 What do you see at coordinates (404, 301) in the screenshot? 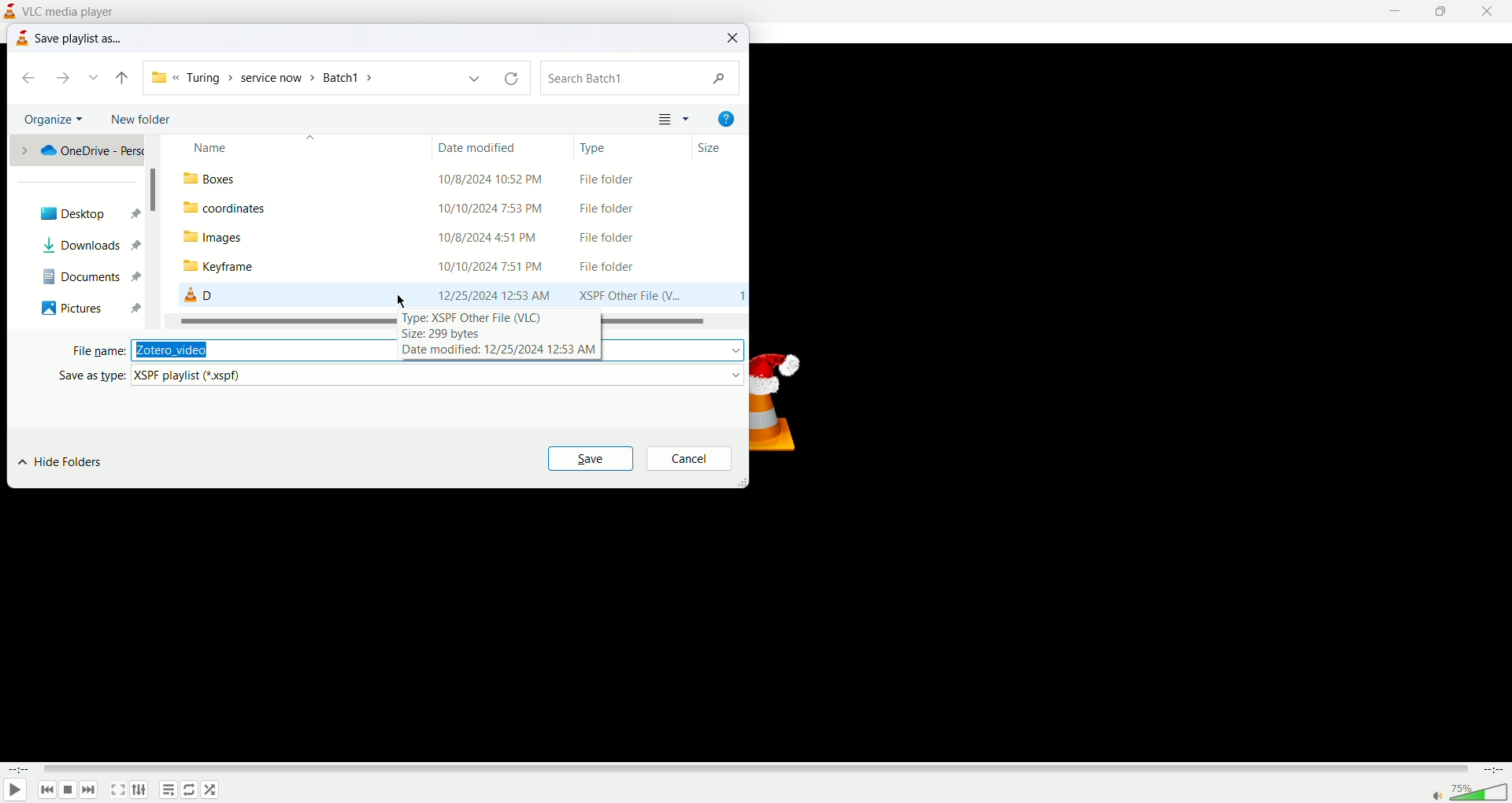
I see `cursor` at bounding box center [404, 301].